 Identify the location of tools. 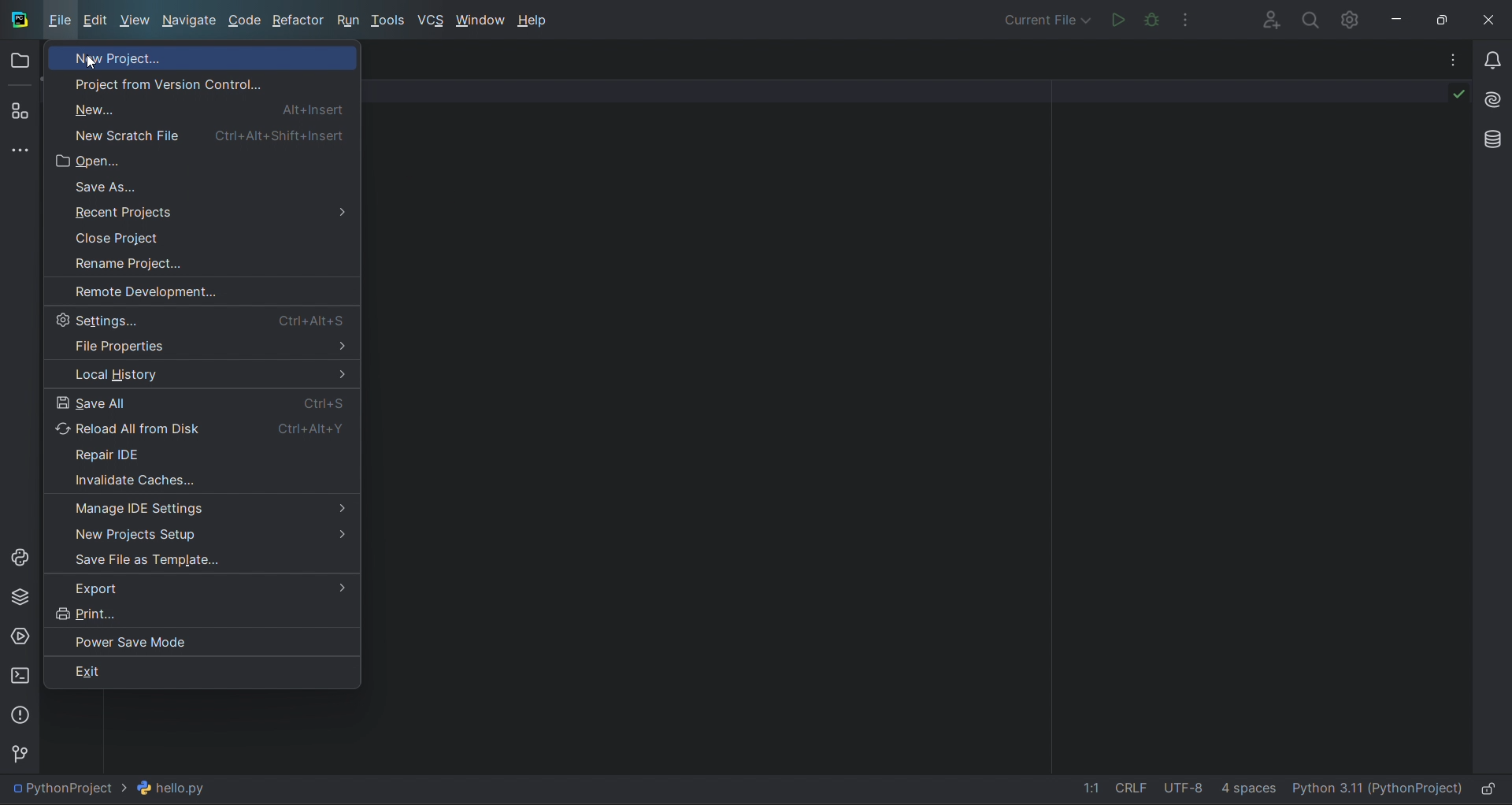
(391, 22).